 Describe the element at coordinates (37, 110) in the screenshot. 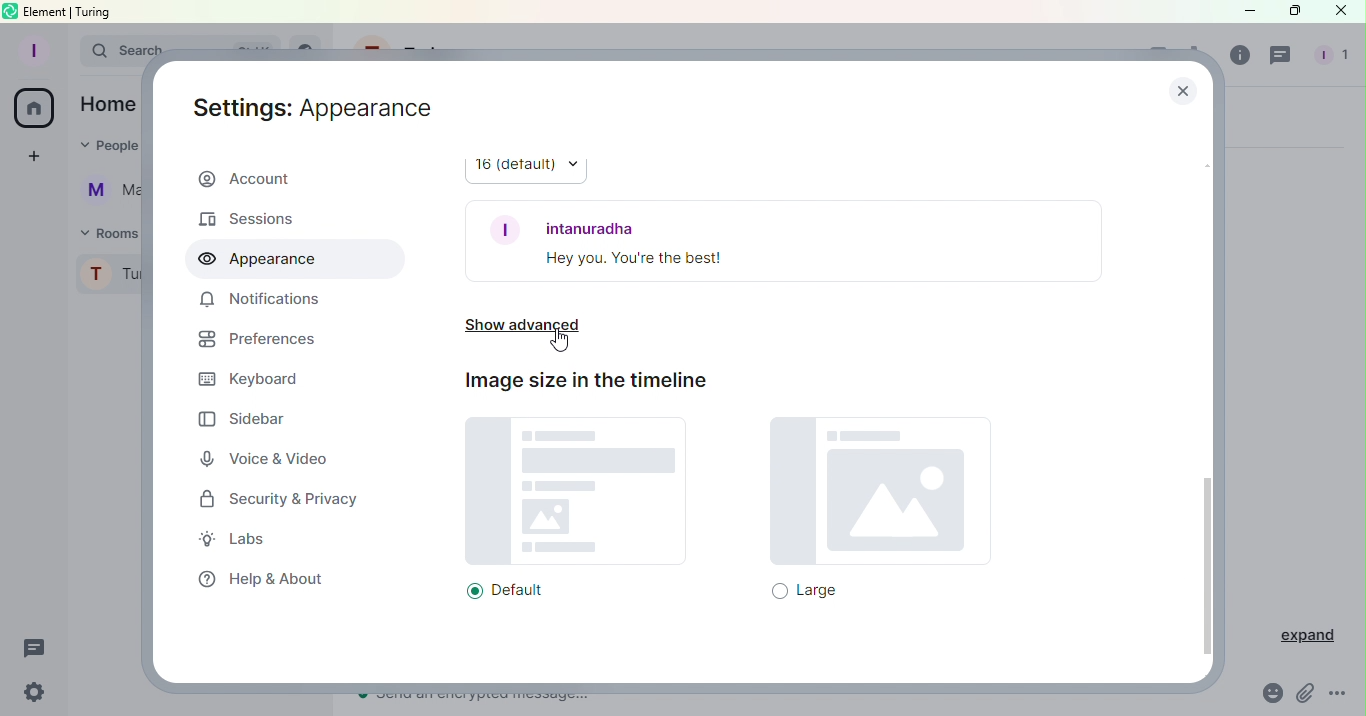

I see `Home` at that location.